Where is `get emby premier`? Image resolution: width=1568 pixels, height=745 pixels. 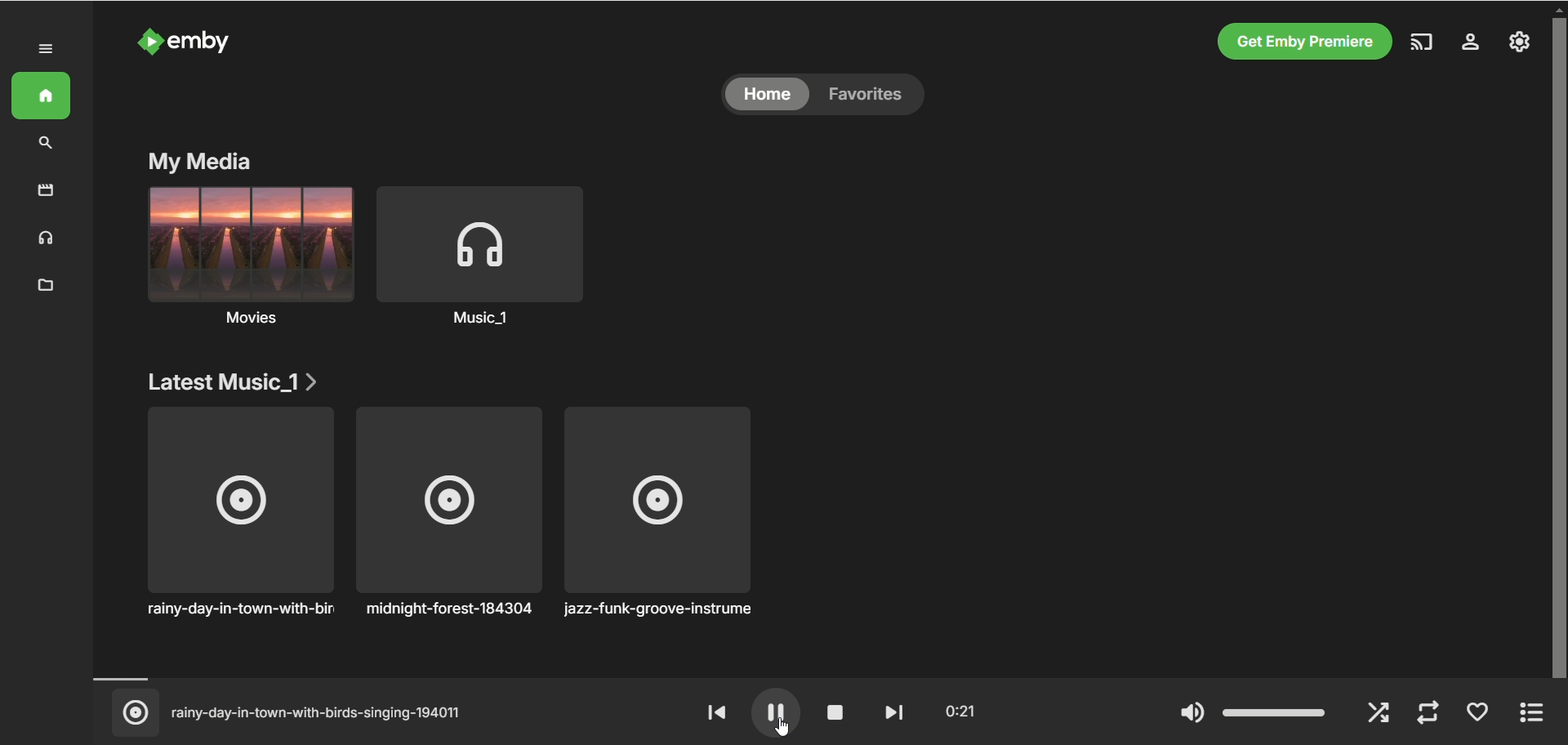
get emby premier is located at coordinates (1305, 43).